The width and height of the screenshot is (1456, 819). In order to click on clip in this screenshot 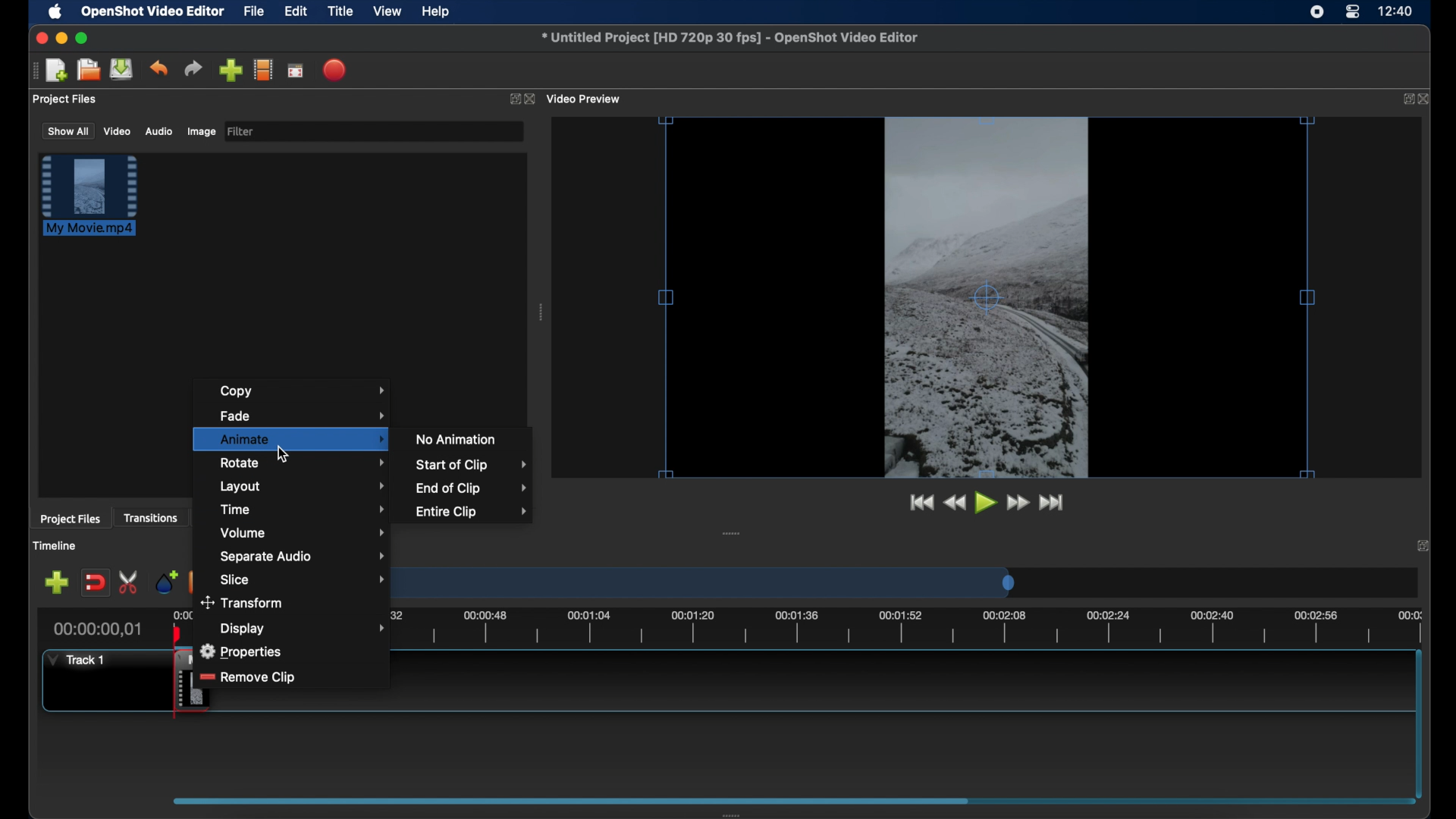, I will do `click(165, 686)`.